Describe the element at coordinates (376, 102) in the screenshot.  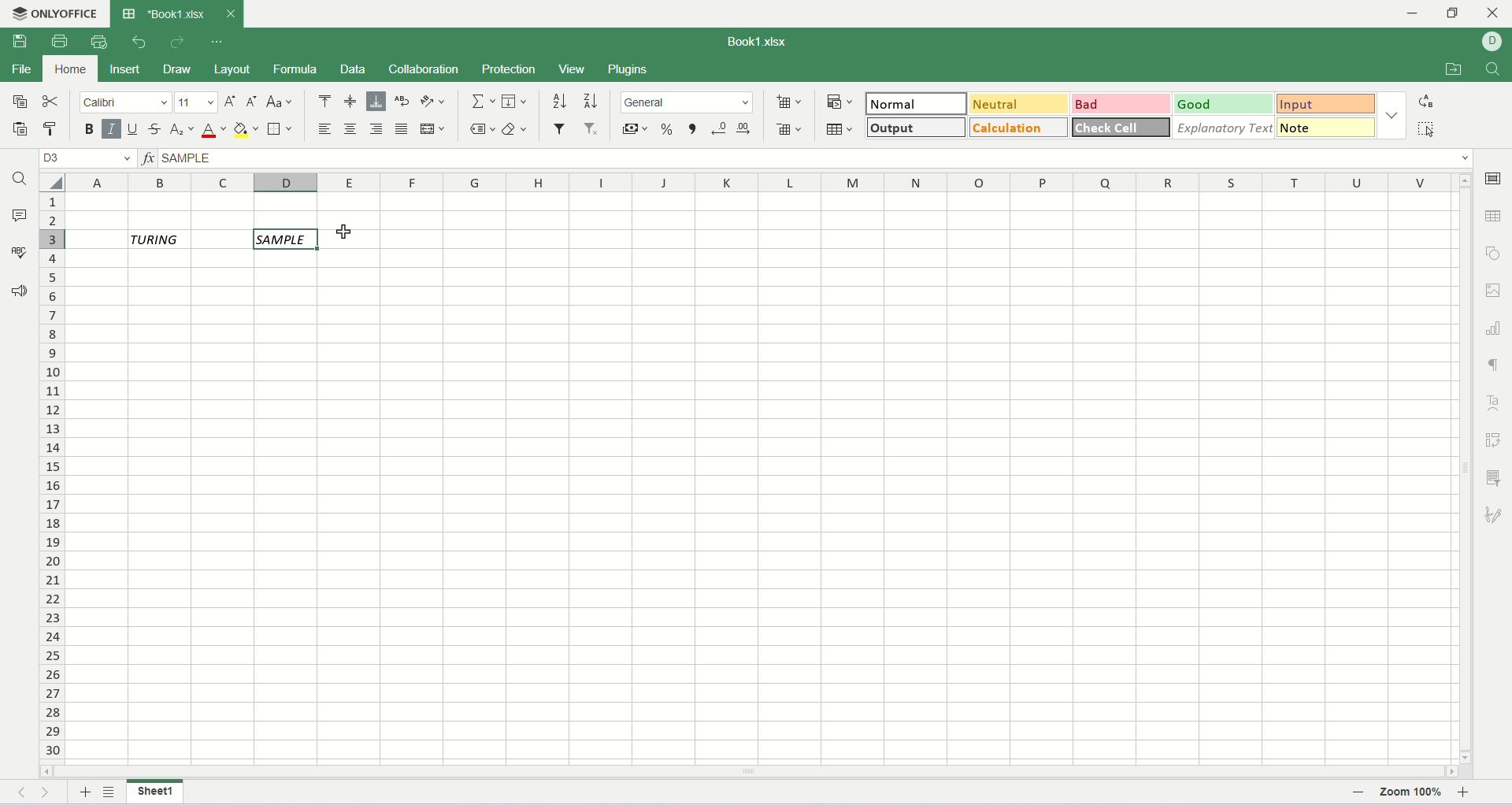
I see `align bottom` at that location.